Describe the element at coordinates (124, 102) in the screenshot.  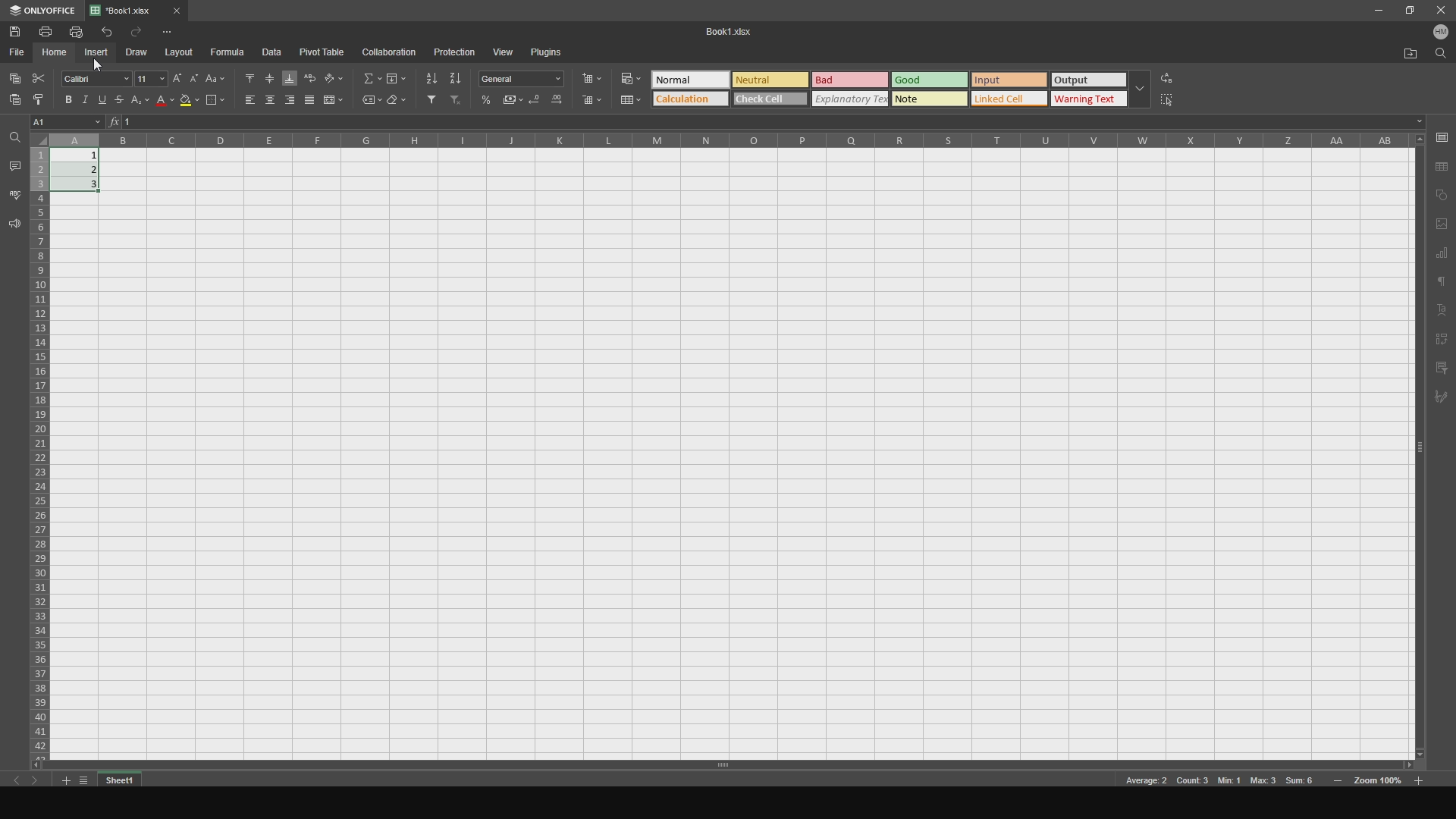
I see `stricktrough` at that location.